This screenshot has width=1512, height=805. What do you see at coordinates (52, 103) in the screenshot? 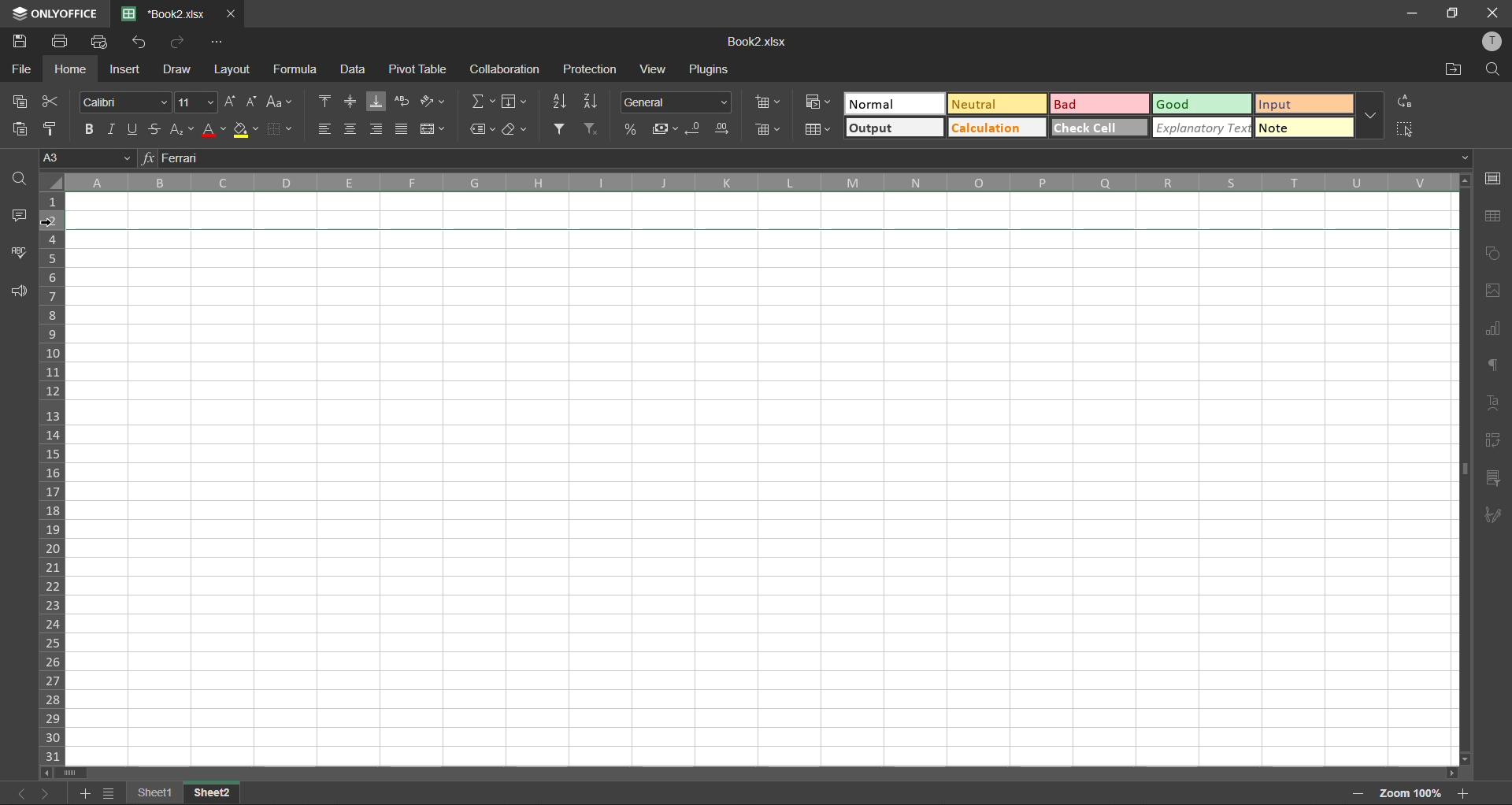
I see `cut` at bounding box center [52, 103].